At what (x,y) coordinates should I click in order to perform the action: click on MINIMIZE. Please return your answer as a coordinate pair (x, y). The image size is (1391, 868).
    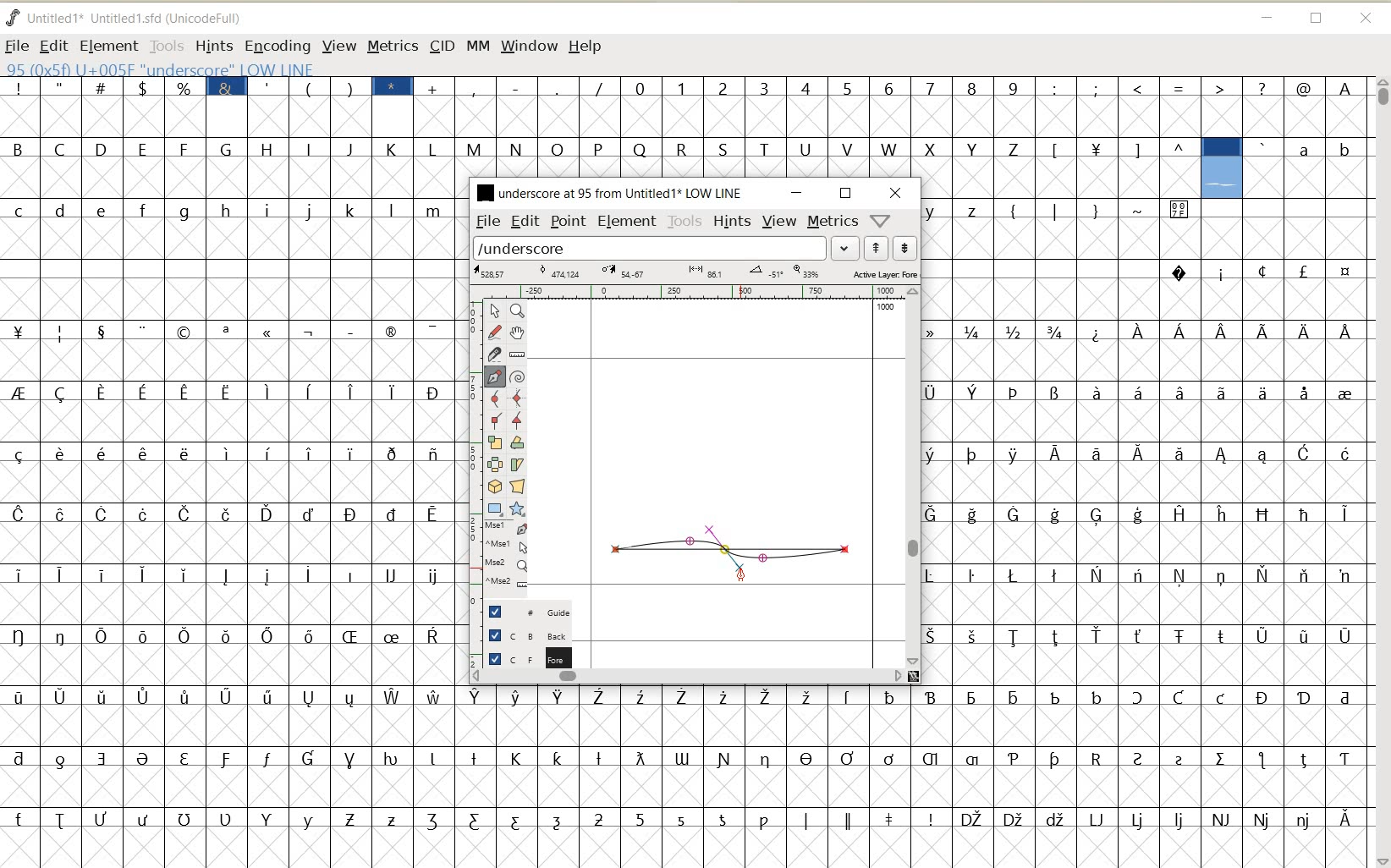
    Looking at the image, I should click on (798, 193).